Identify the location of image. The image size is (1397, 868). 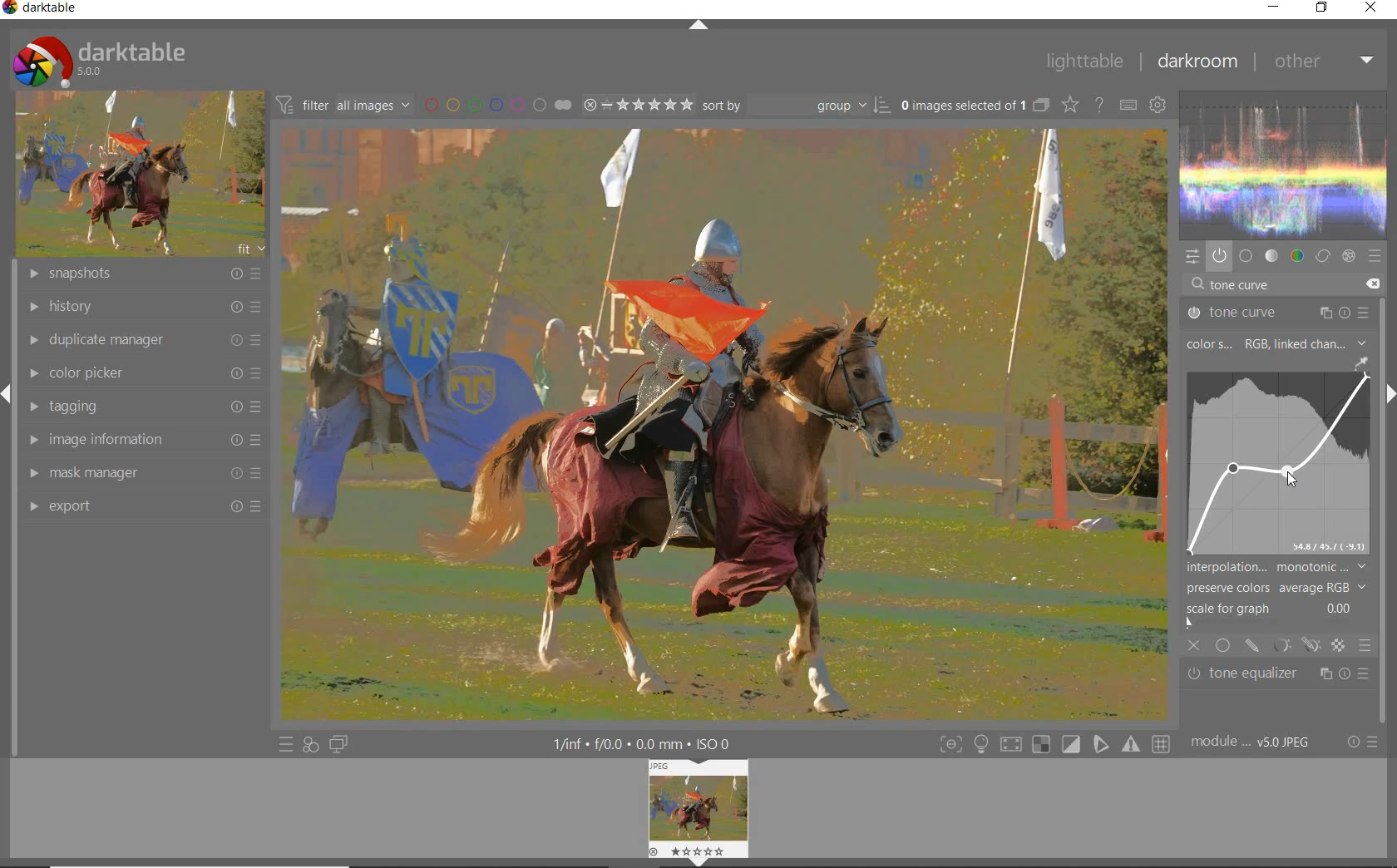
(136, 175).